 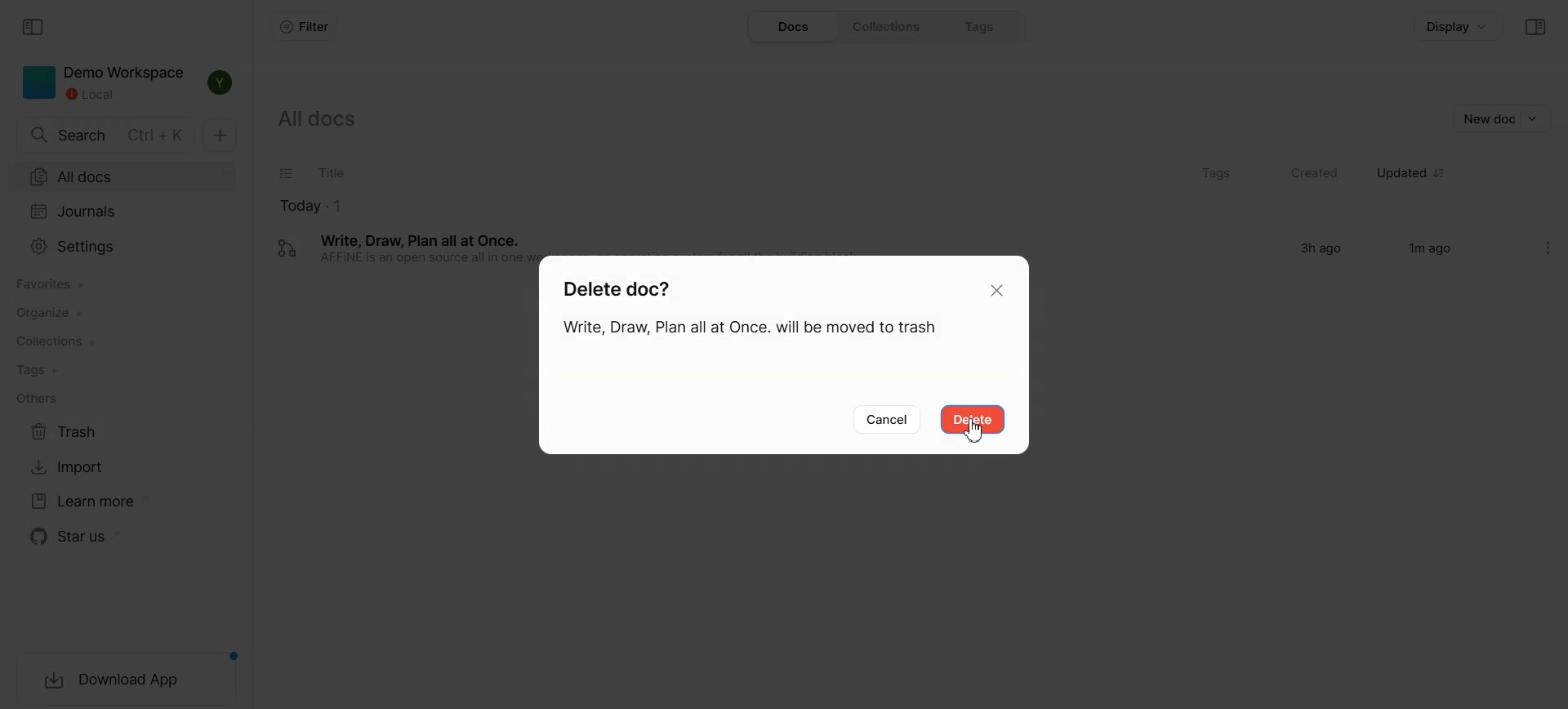 I want to click on Search, so click(x=106, y=136).